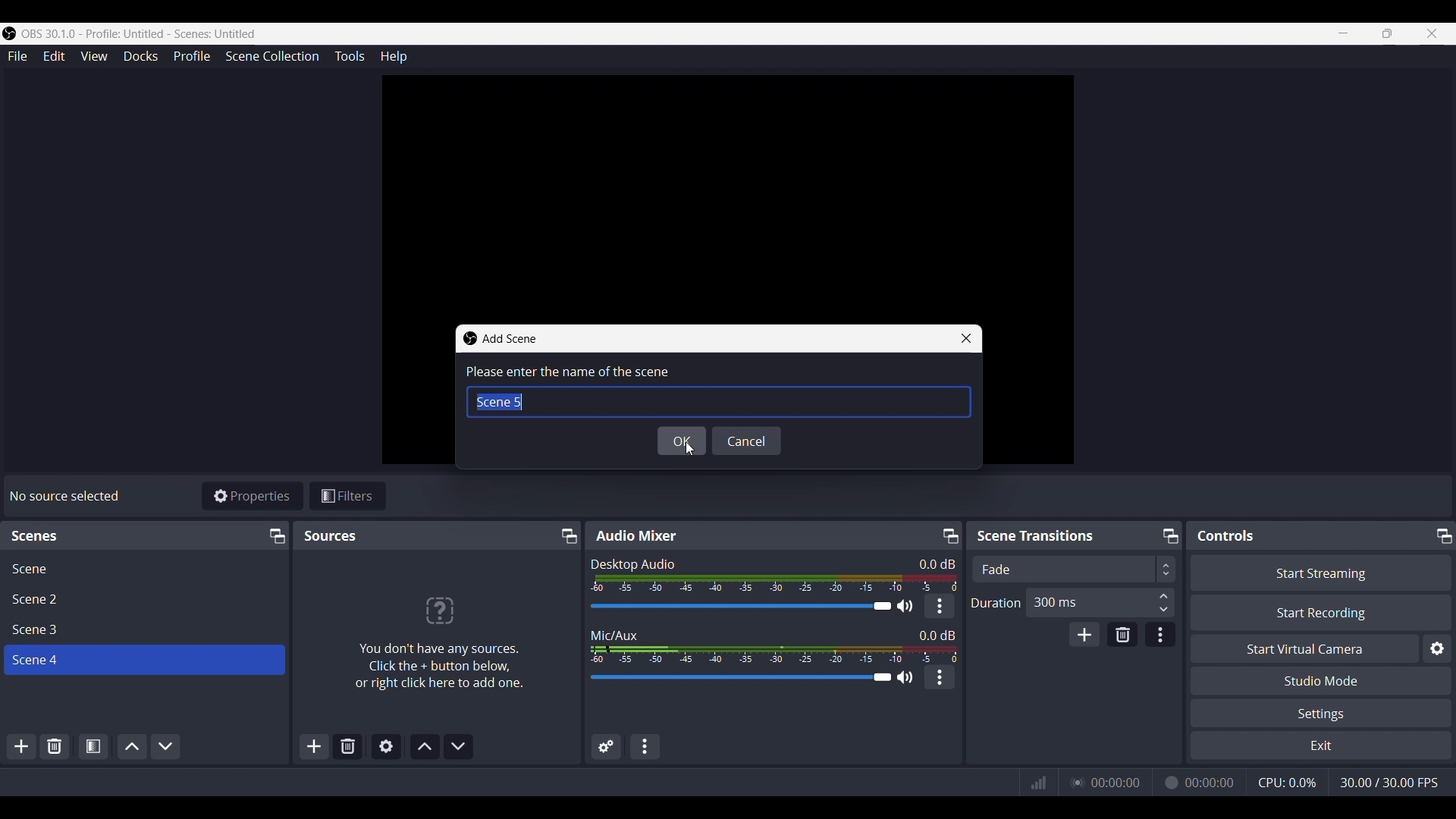 This screenshot has width=1456, height=819. I want to click on Remove Selected Source, so click(347, 747).